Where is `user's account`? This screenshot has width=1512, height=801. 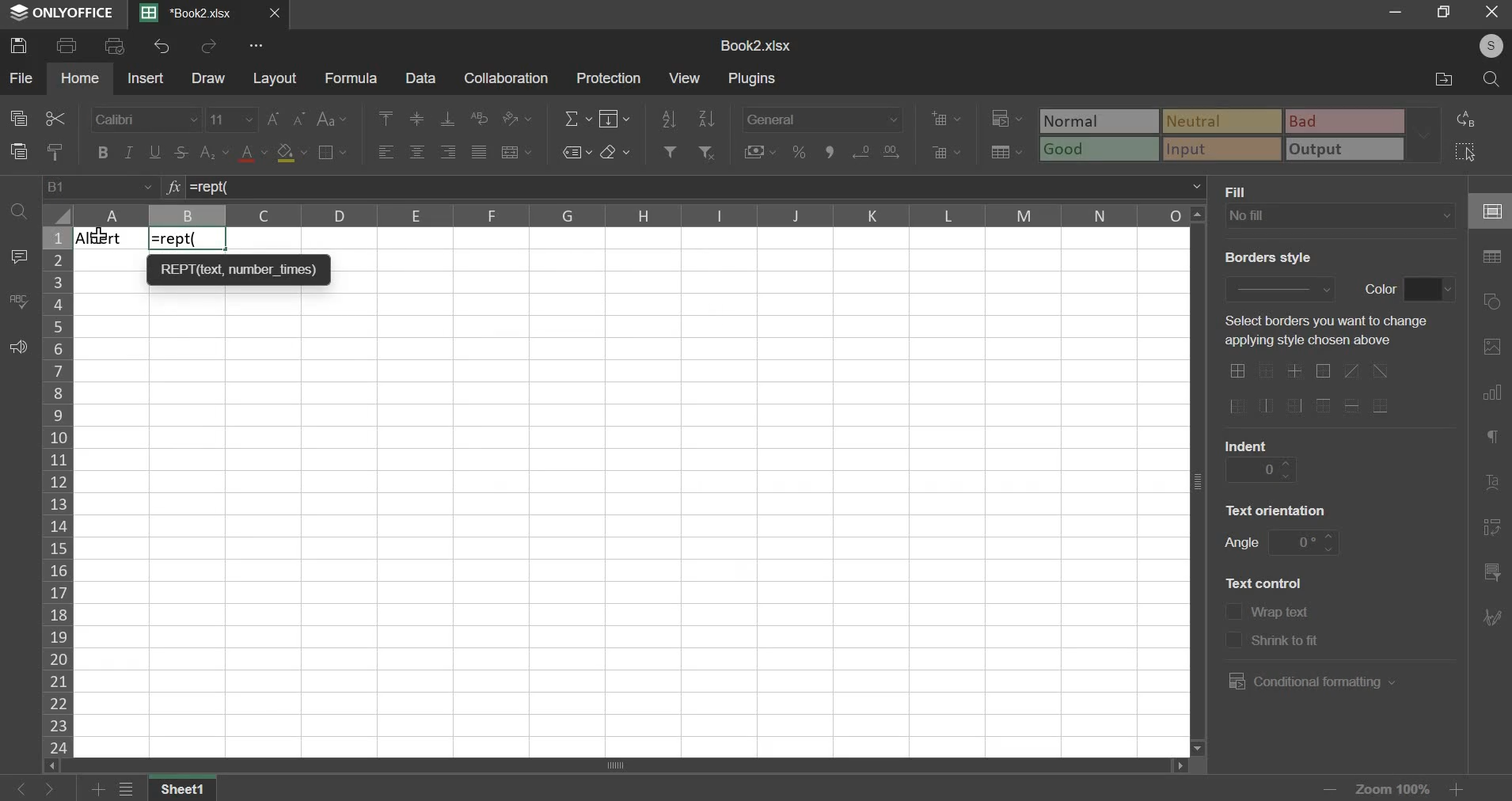 user's account is located at coordinates (1488, 44).